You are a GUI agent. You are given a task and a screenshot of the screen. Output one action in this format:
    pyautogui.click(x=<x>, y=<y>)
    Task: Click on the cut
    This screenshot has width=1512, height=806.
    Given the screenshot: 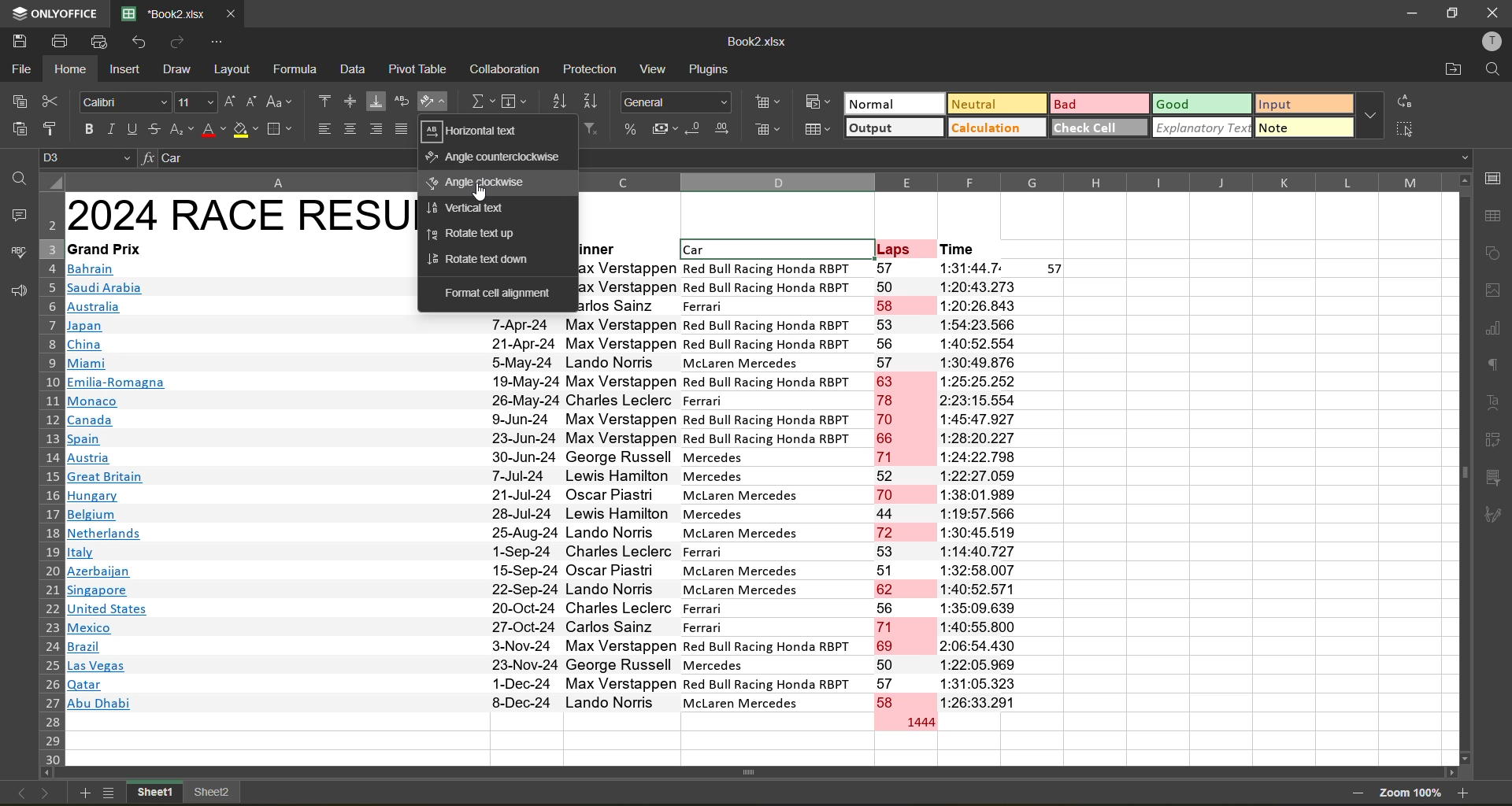 What is the action you would take?
    pyautogui.click(x=51, y=100)
    